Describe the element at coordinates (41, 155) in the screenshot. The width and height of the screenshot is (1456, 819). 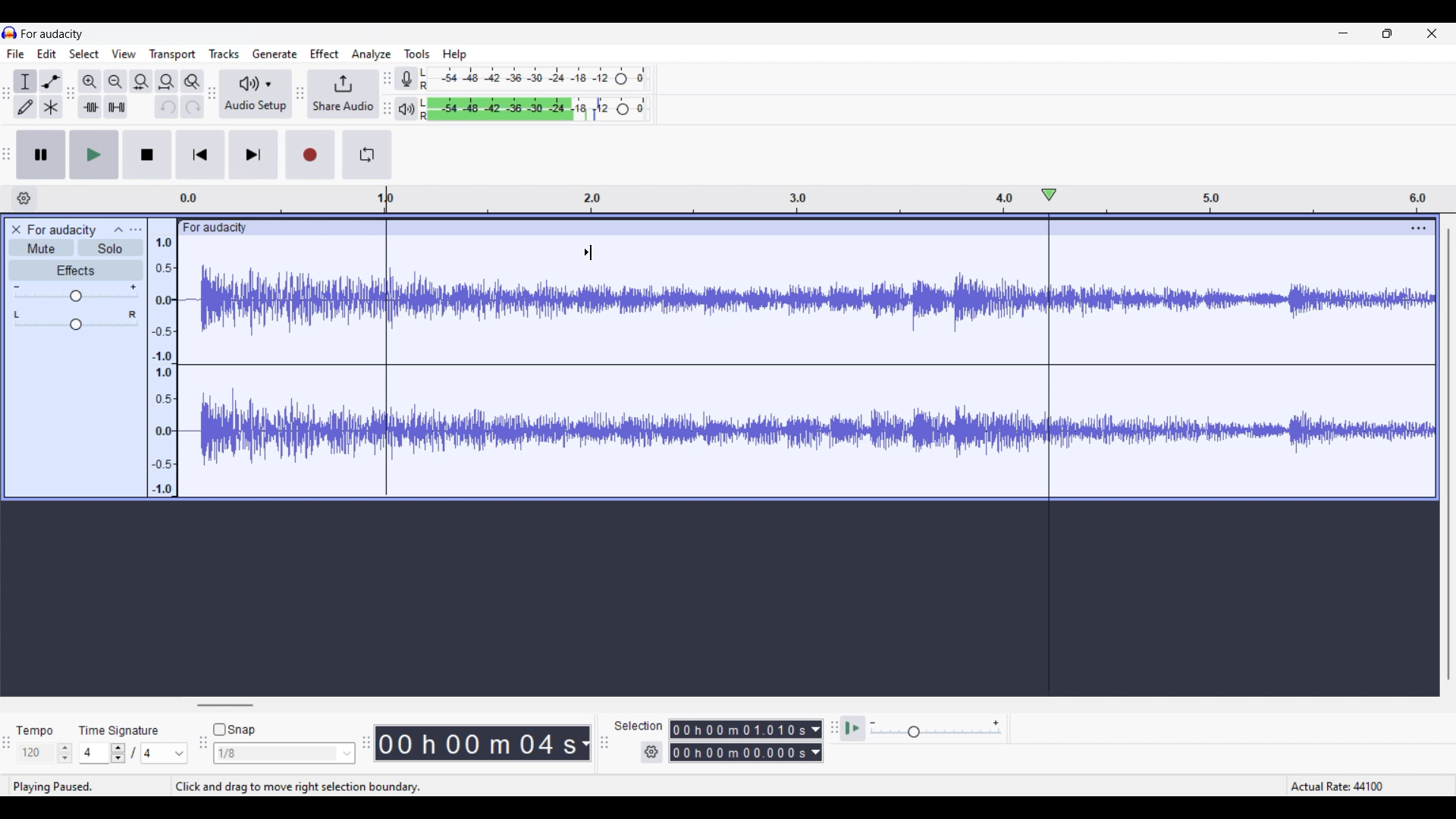
I see `Pause` at that location.